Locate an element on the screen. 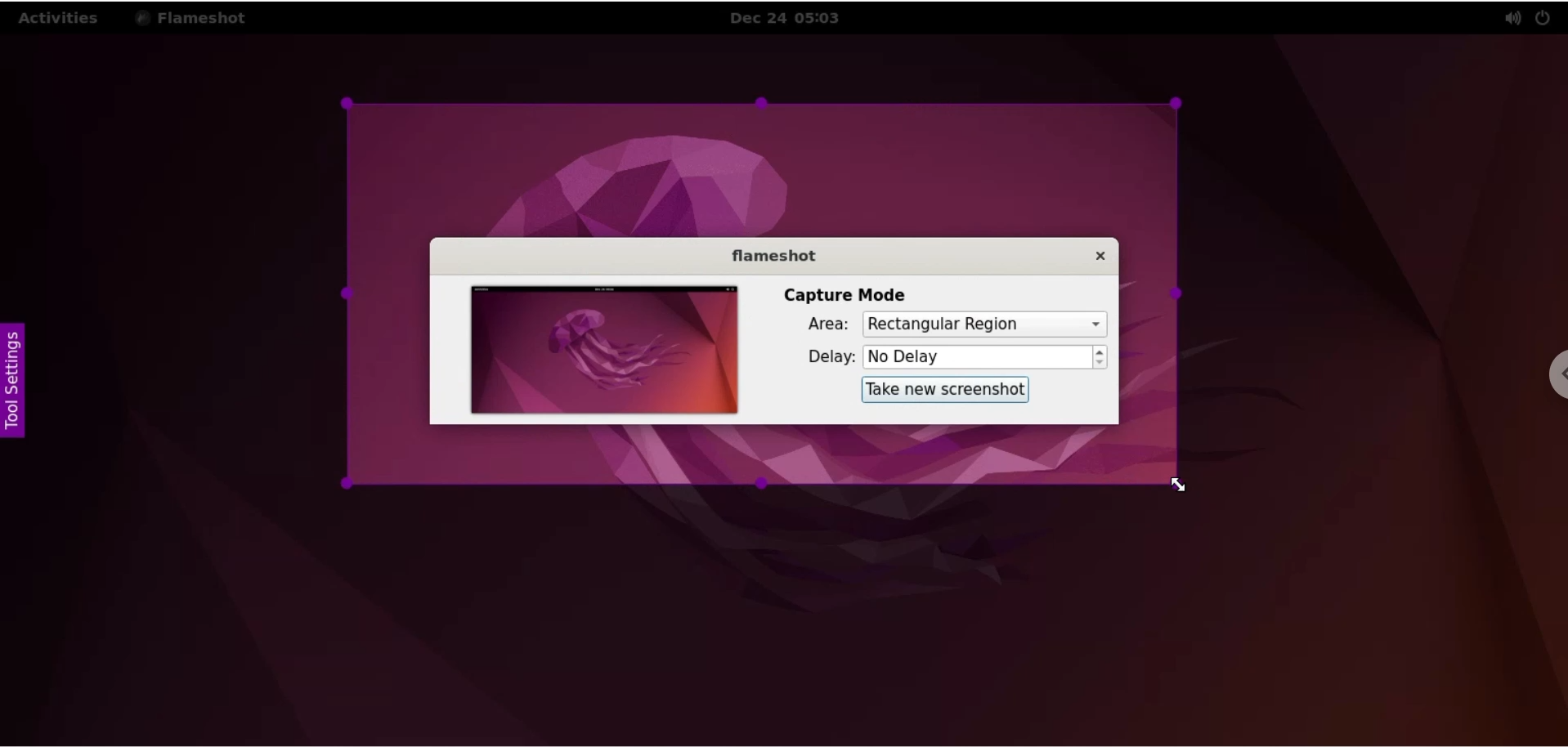  activities  is located at coordinates (60, 18).